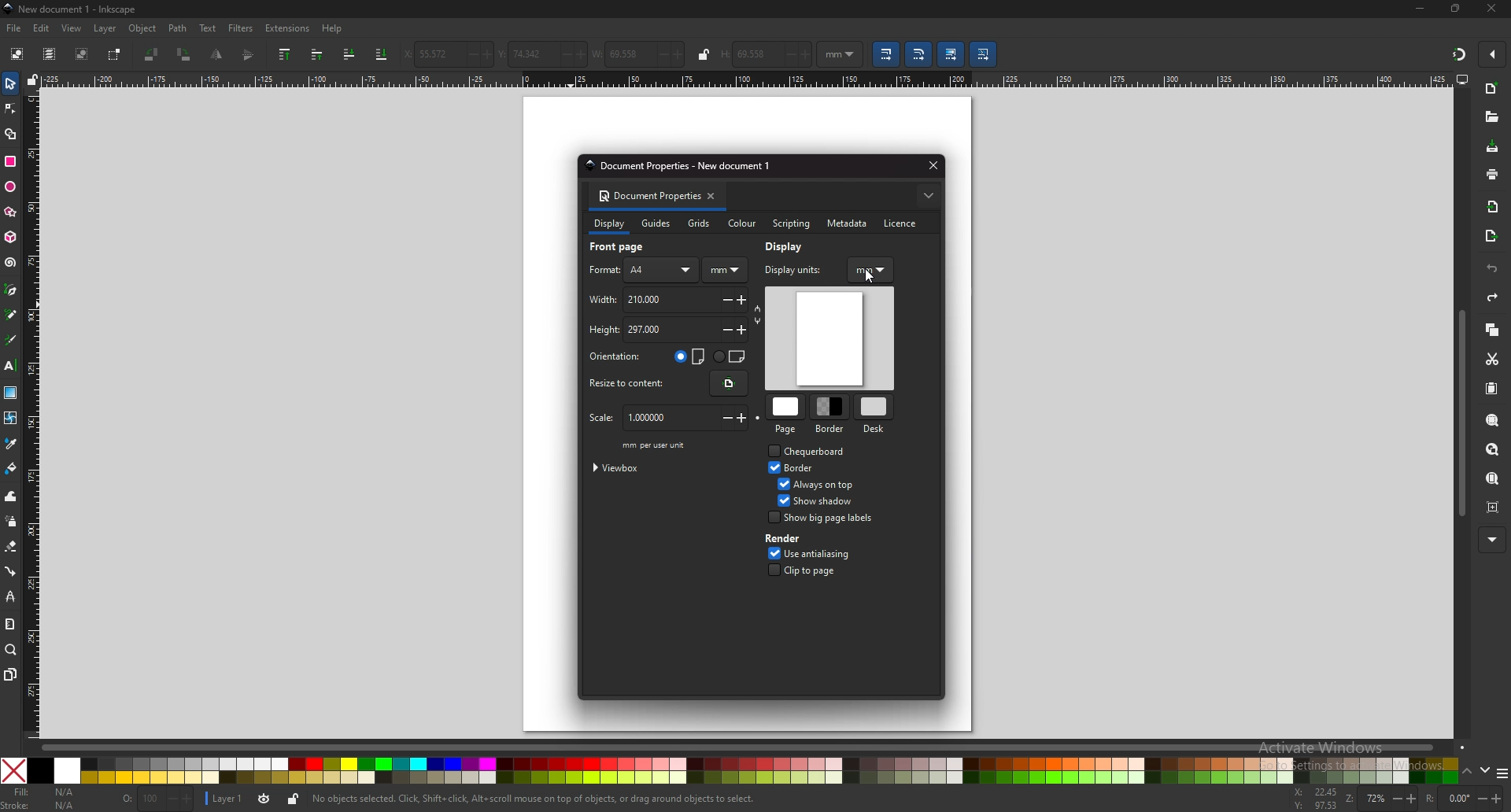 The image size is (1511, 812). Describe the element at coordinates (770, 450) in the screenshot. I see `Checkbox` at that location.